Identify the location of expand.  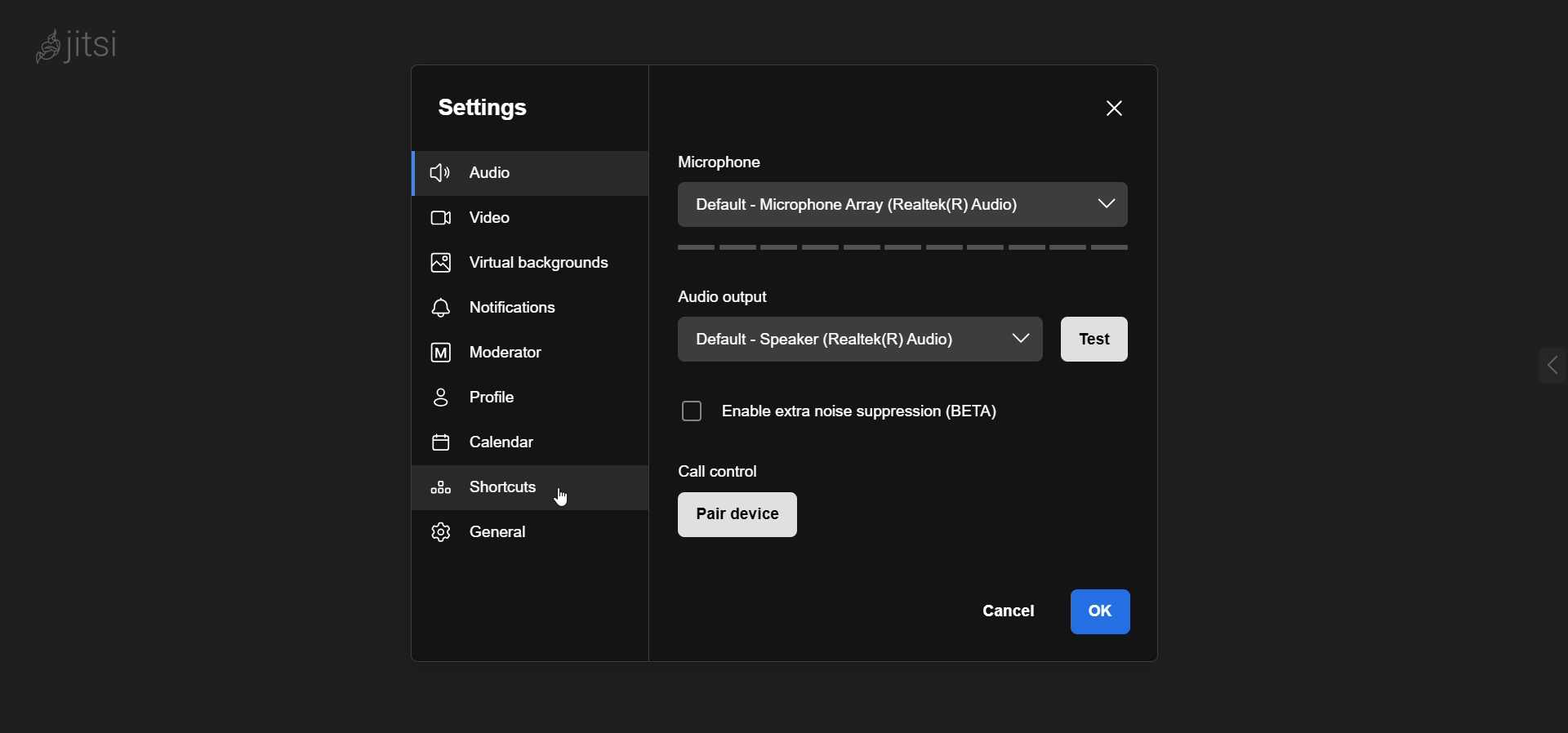
(1533, 366).